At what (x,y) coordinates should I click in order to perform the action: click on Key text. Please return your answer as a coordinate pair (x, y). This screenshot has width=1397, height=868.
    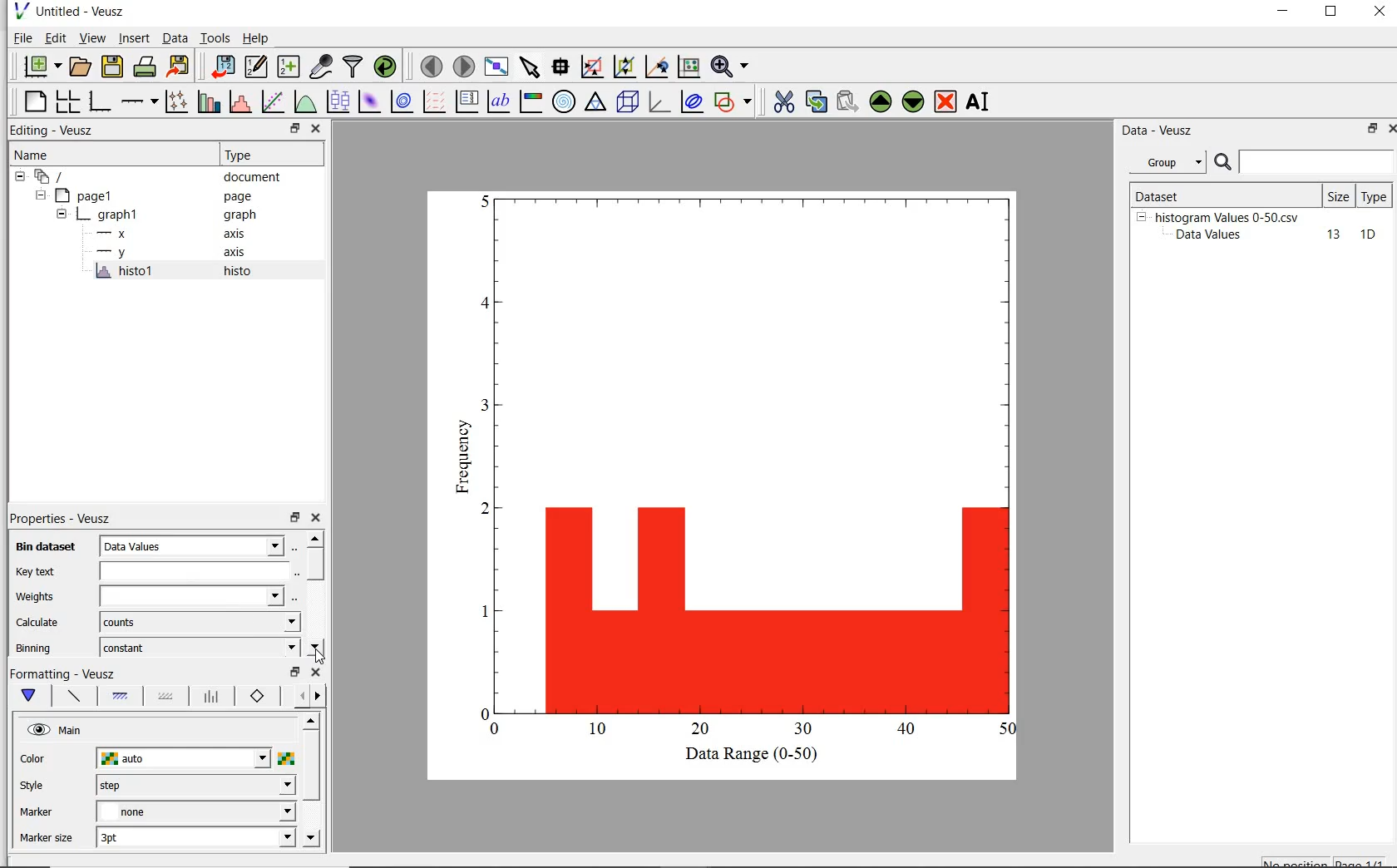
    Looking at the image, I should click on (35, 572).